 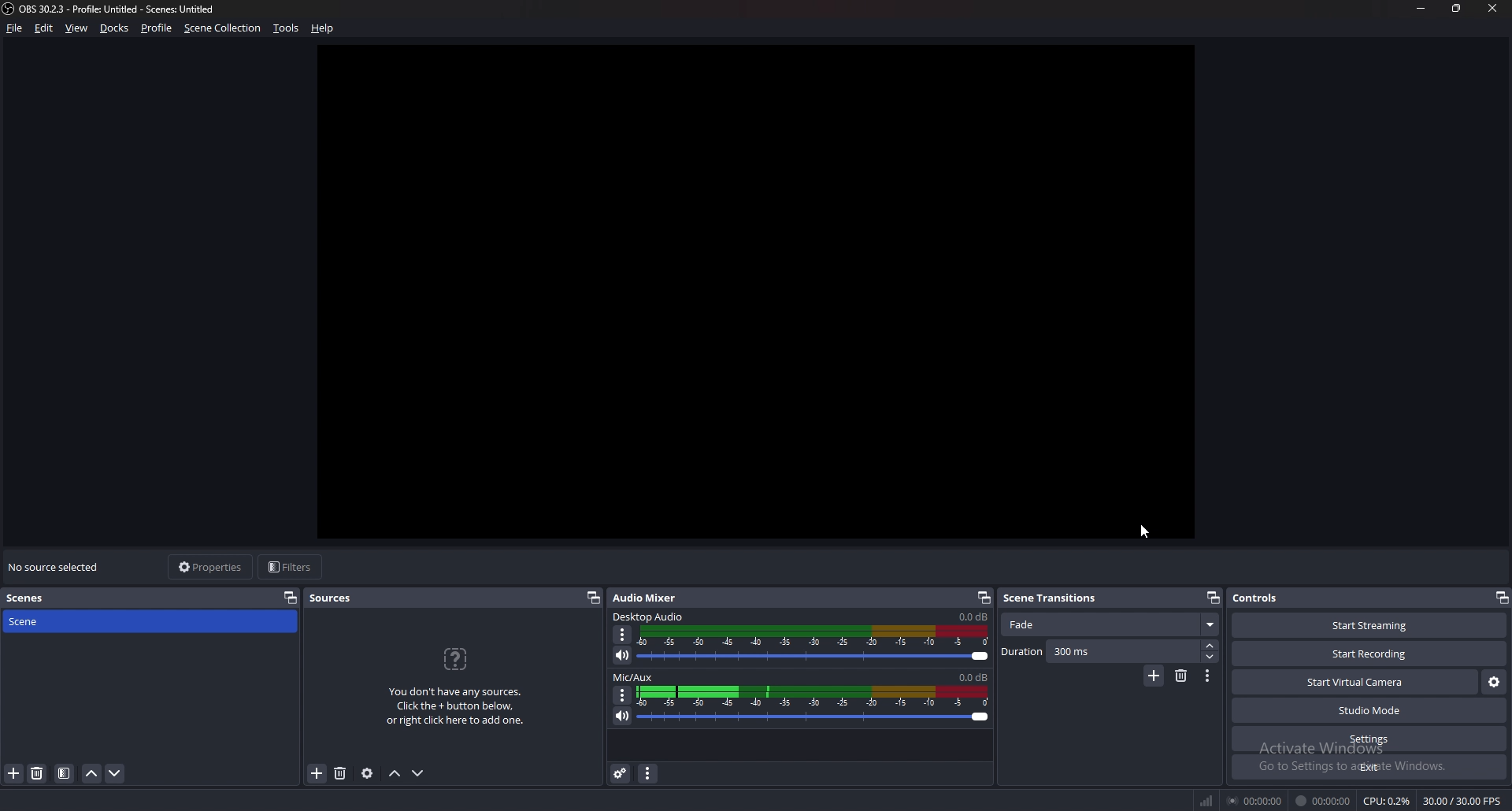 What do you see at coordinates (1494, 9) in the screenshot?
I see `close` at bounding box center [1494, 9].